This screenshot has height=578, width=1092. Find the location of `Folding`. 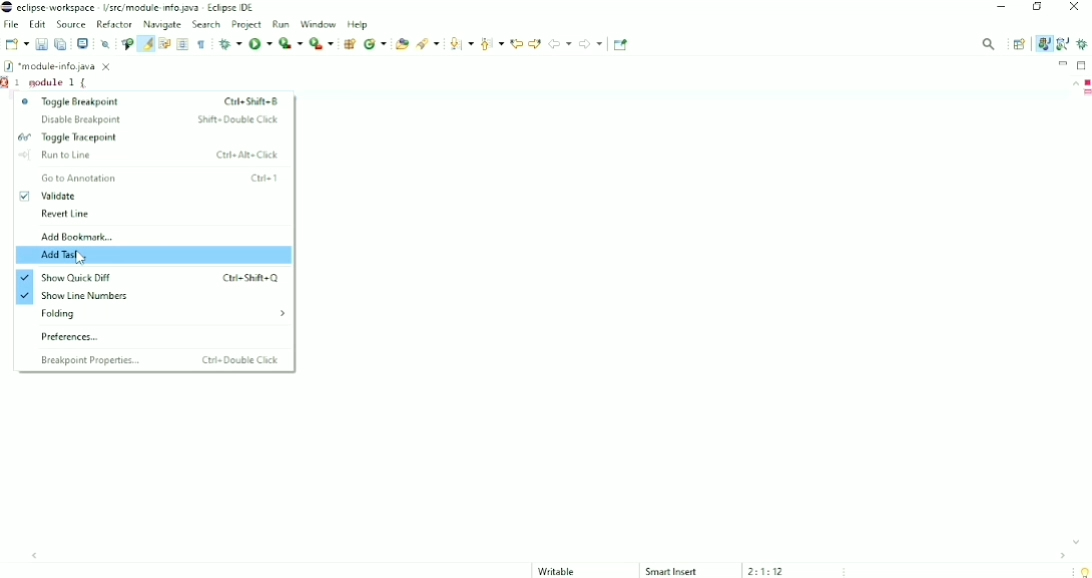

Folding is located at coordinates (161, 314).